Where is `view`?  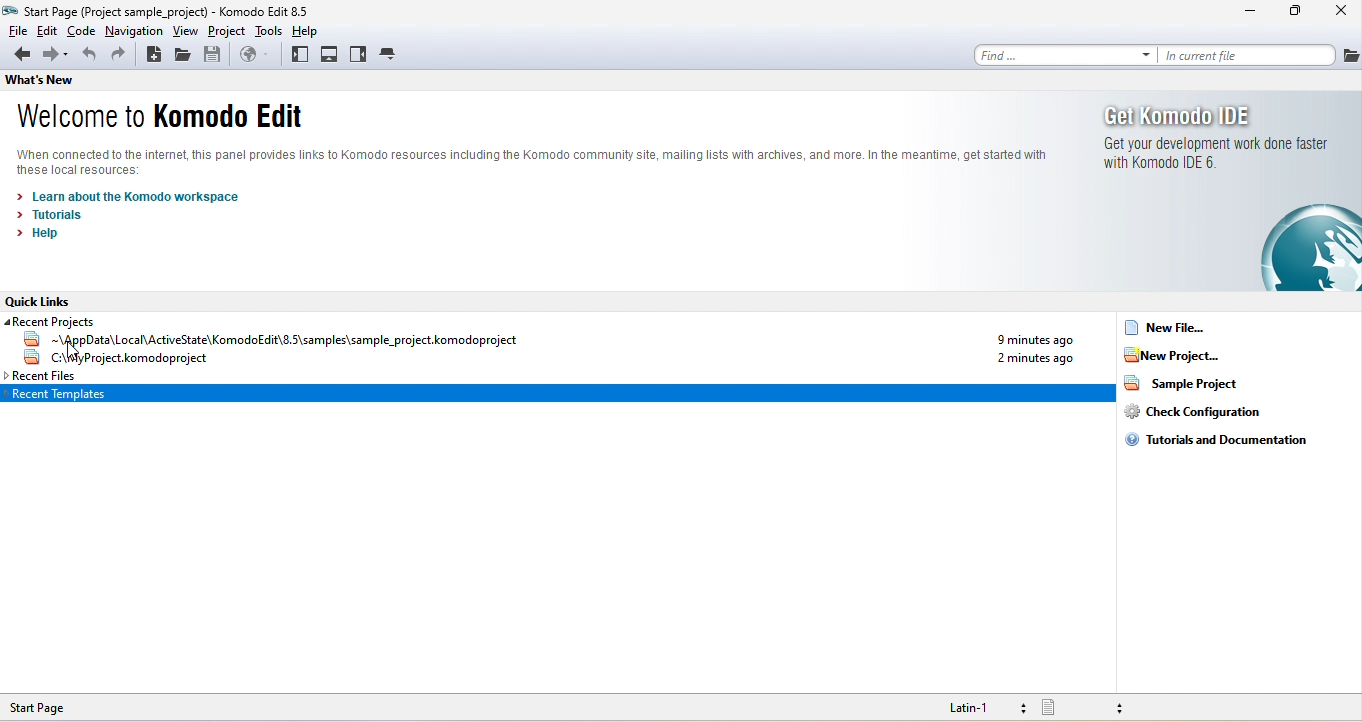 view is located at coordinates (188, 31).